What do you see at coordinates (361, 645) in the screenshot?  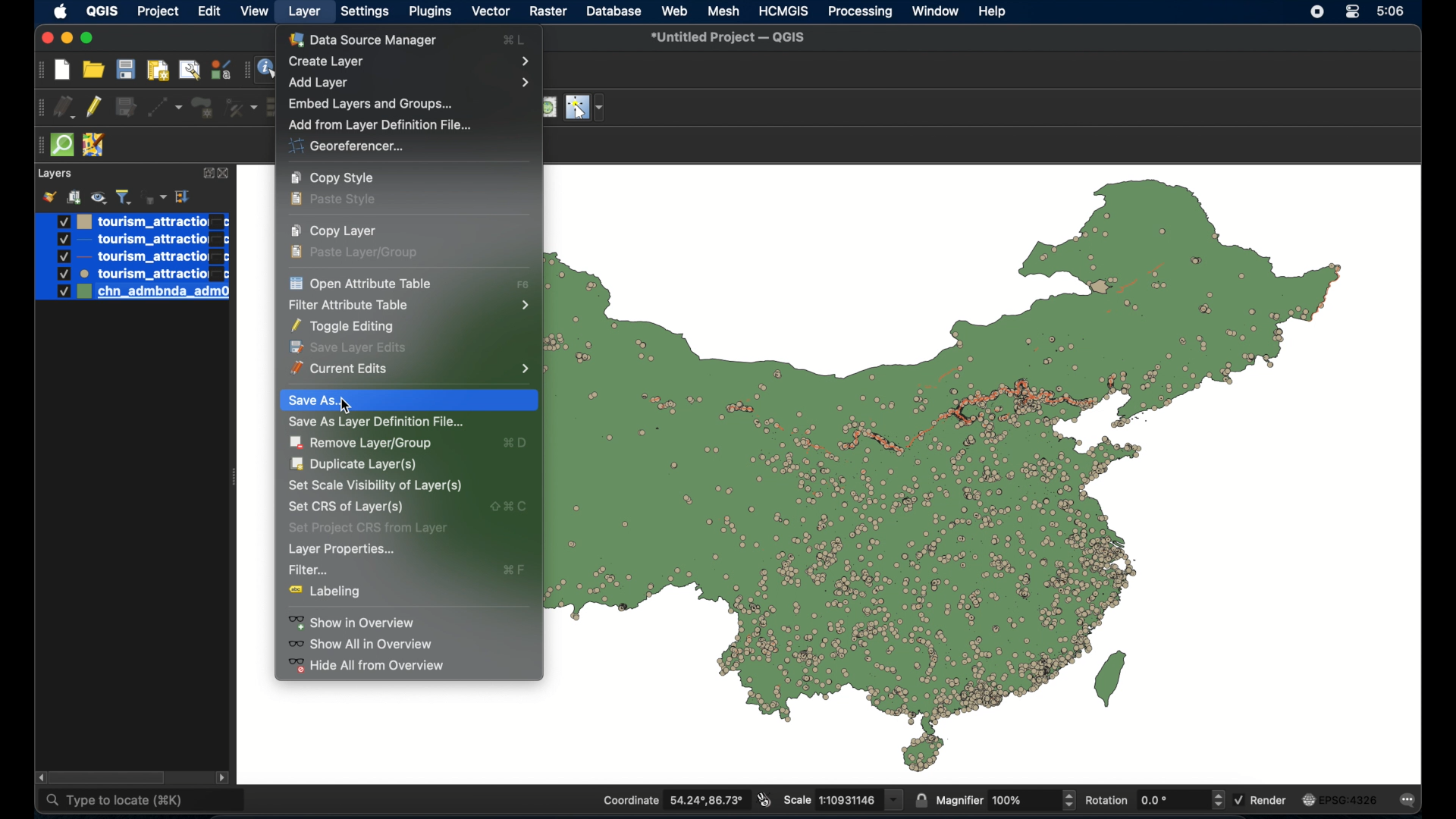 I see `show all in overview` at bounding box center [361, 645].